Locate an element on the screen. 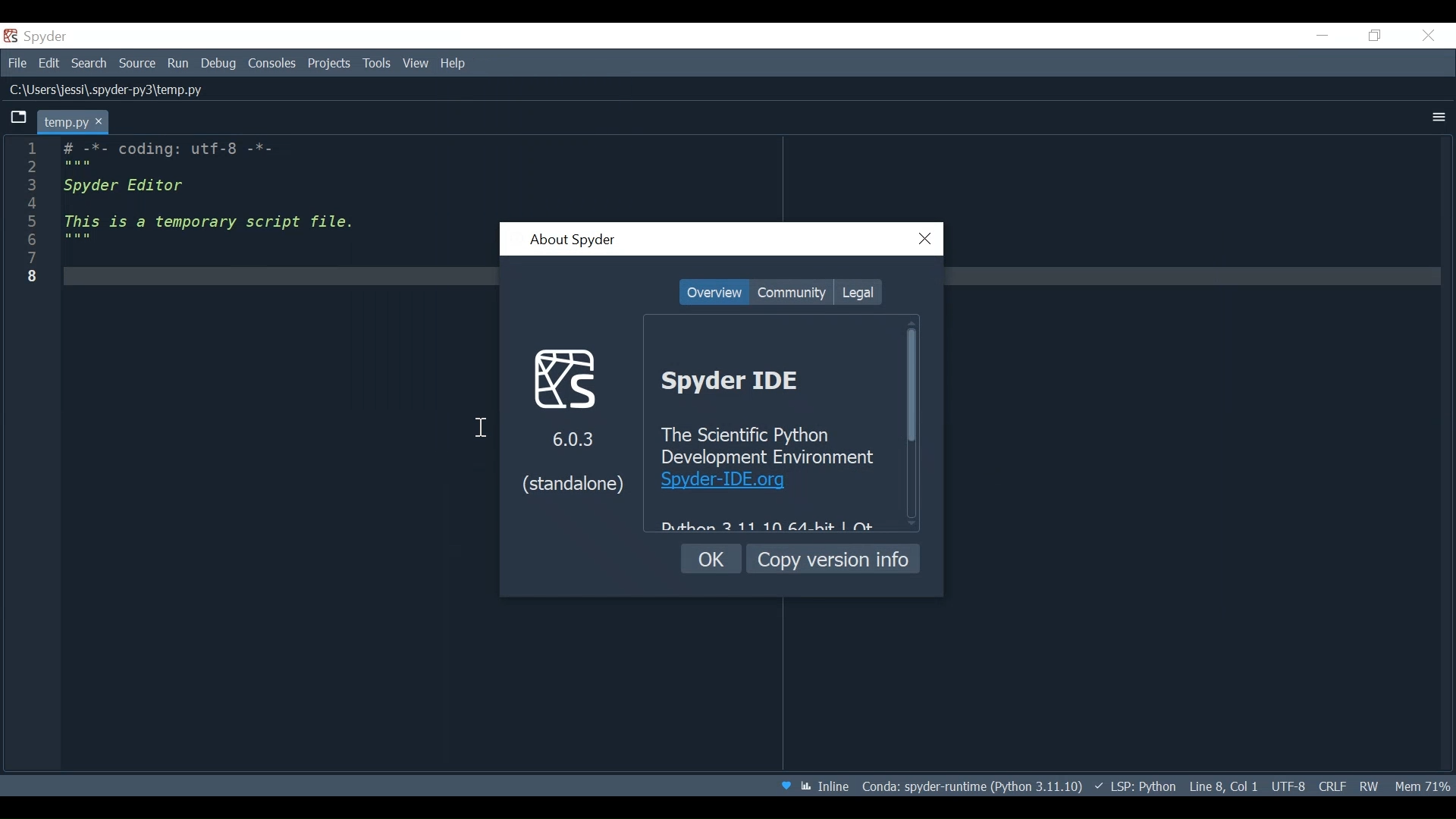  Toggle between inline and interactive indicator is located at coordinates (827, 786).